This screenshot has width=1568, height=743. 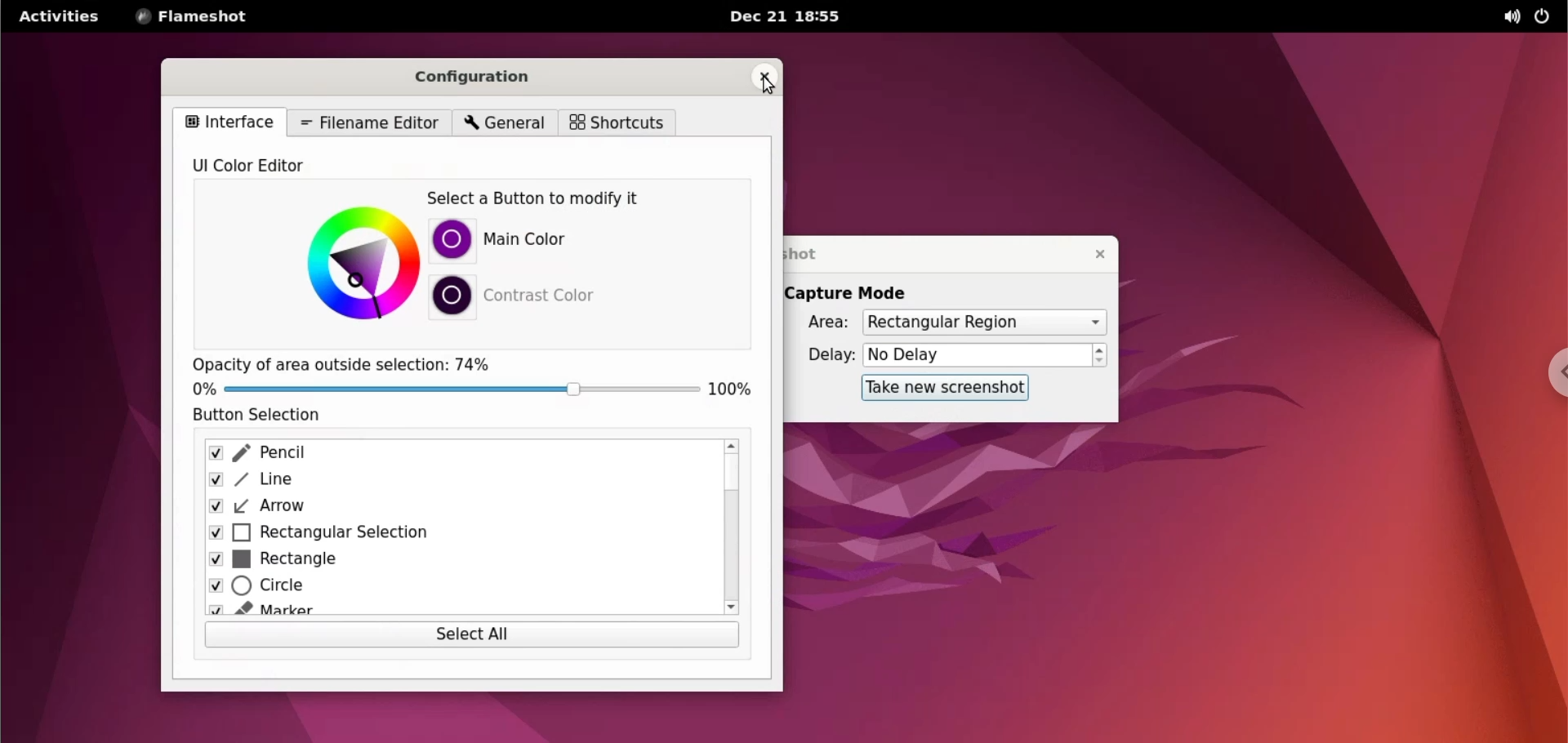 What do you see at coordinates (447, 612) in the screenshot?
I see `marker` at bounding box center [447, 612].